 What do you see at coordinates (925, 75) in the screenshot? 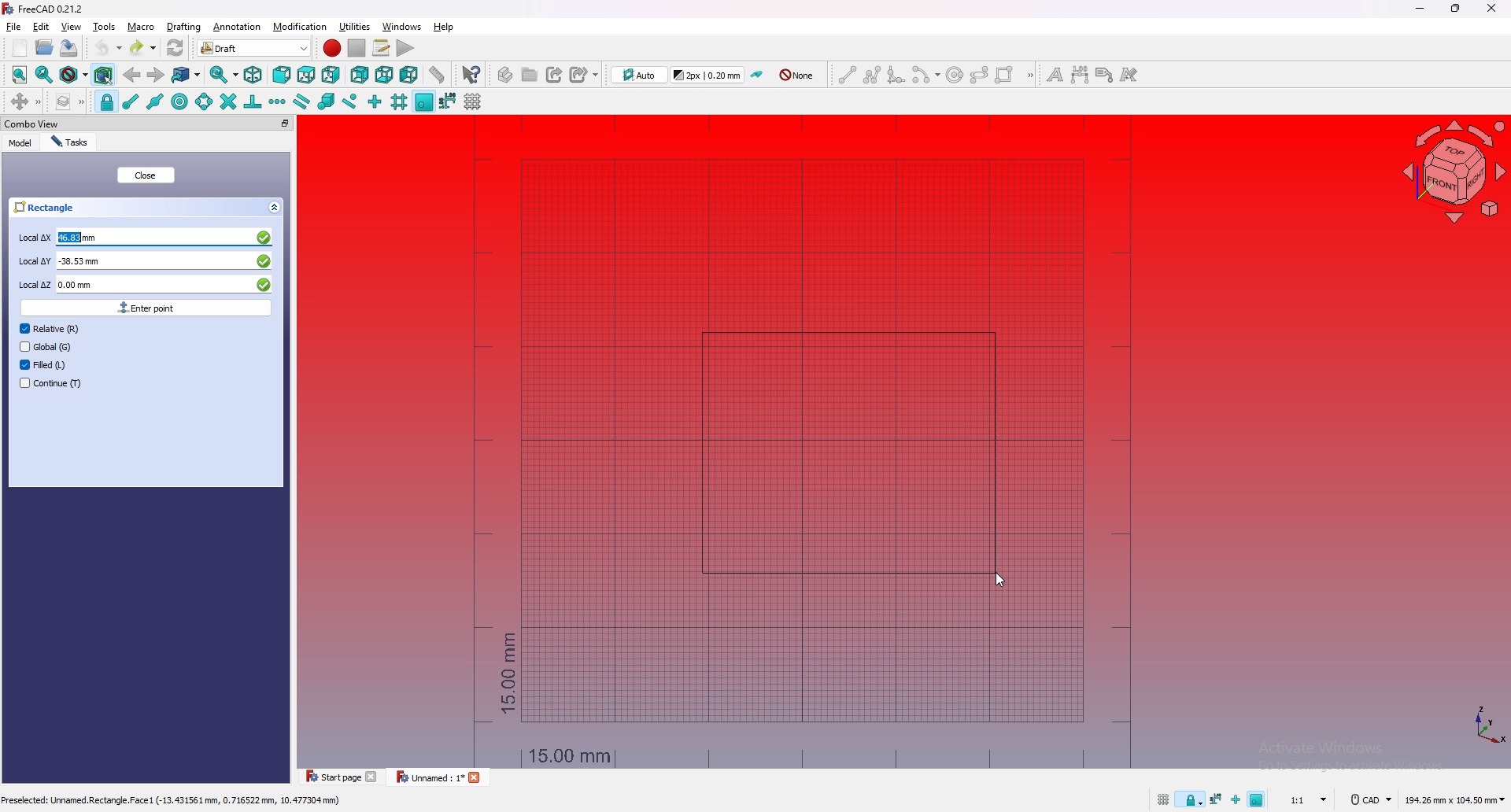
I see `arc tools` at bounding box center [925, 75].